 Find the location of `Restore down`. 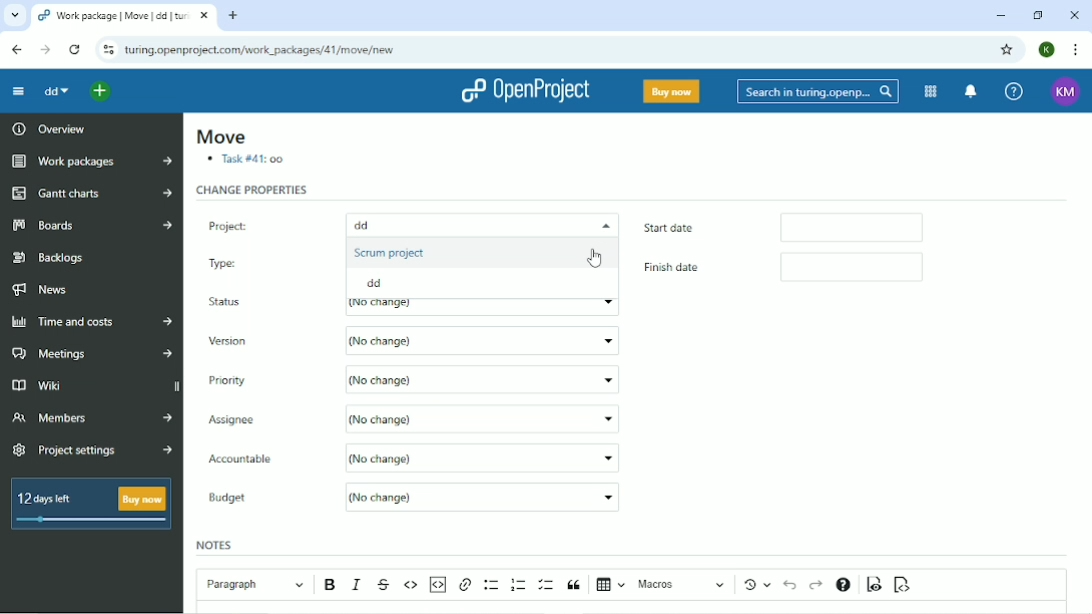

Restore down is located at coordinates (1036, 15).